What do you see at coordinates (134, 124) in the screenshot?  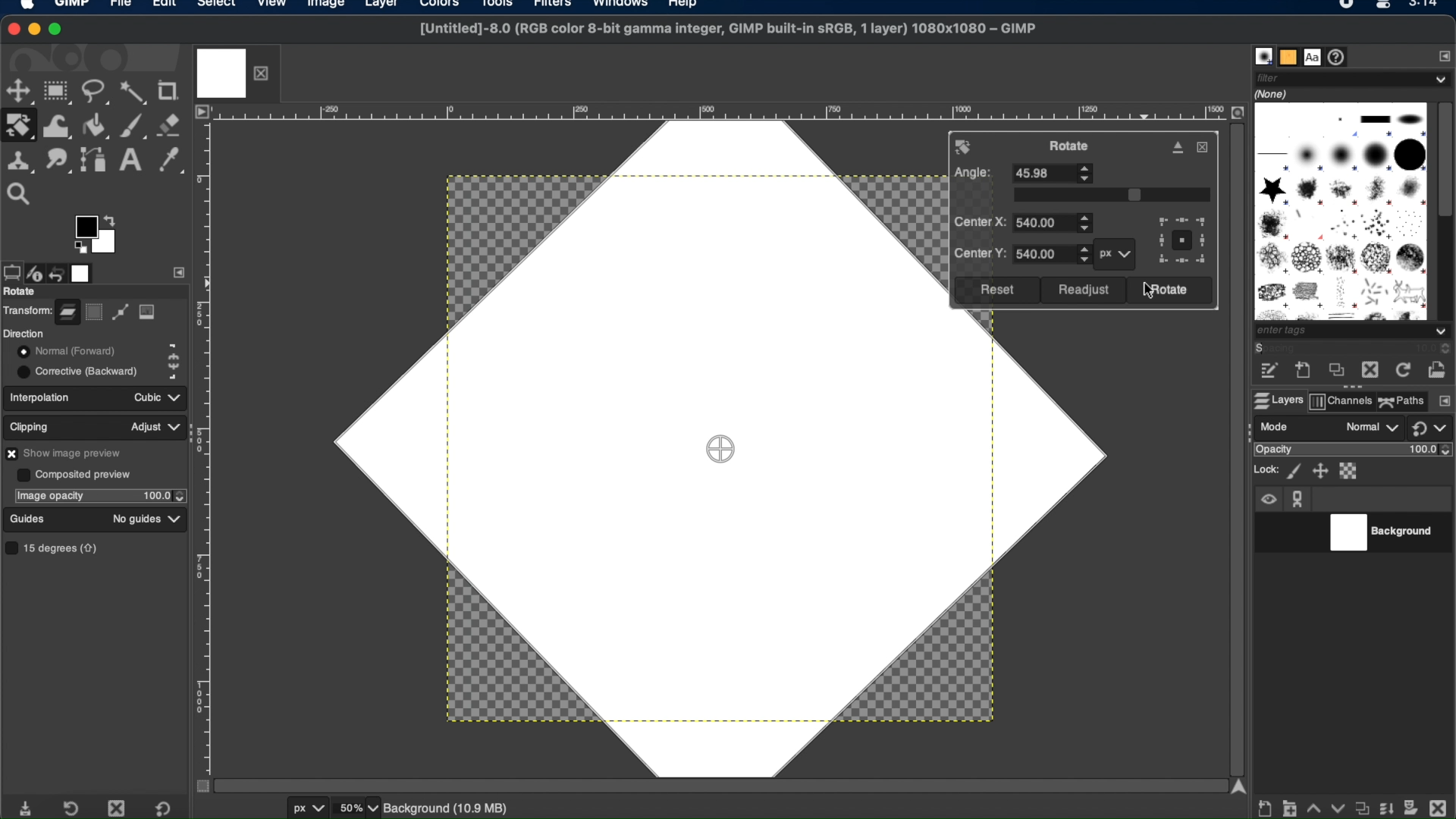 I see `paintbrush tool` at bounding box center [134, 124].